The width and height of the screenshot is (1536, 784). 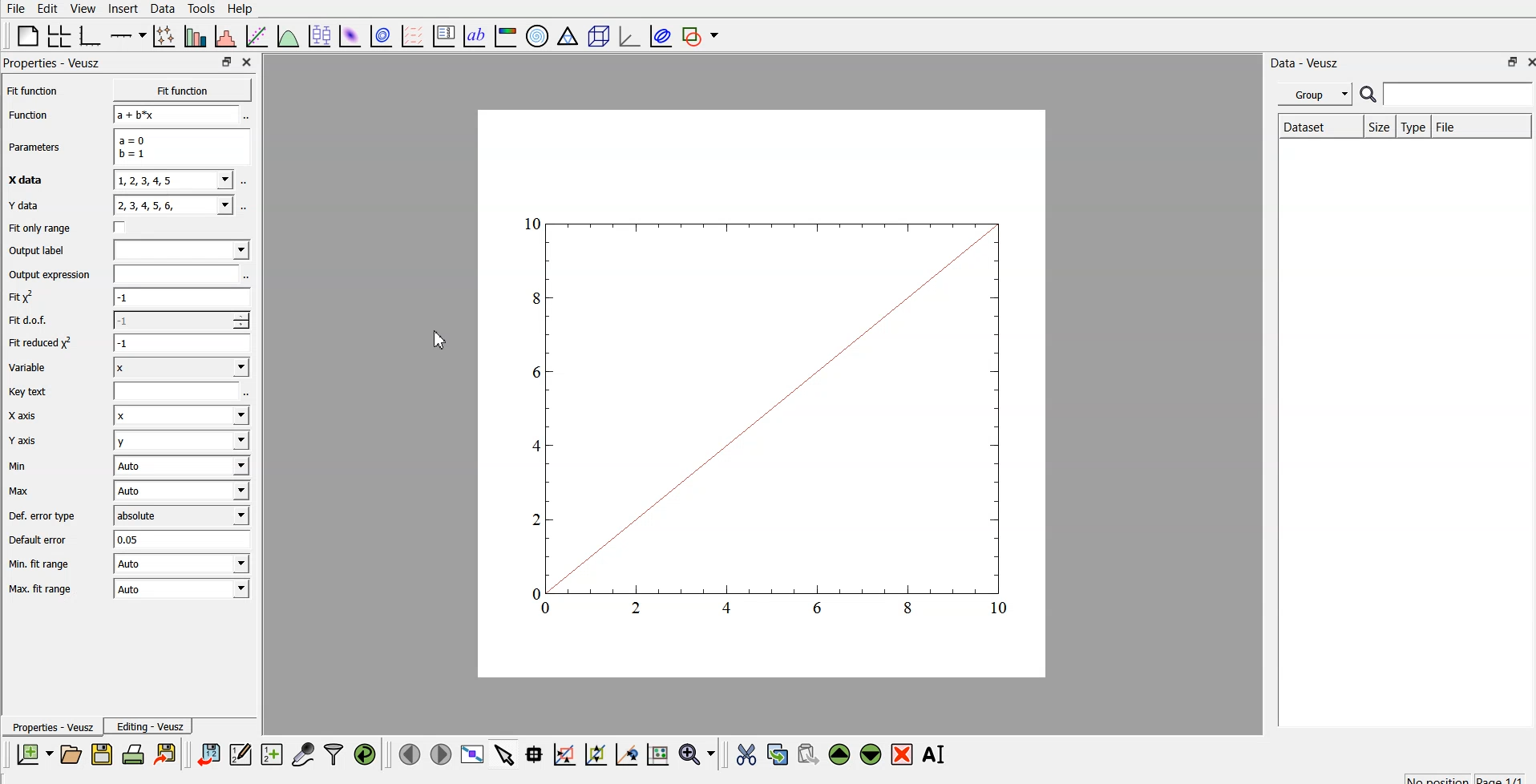 What do you see at coordinates (180, 540) in the screenshot?
I see `0.05` at bounding box center [180, 540].